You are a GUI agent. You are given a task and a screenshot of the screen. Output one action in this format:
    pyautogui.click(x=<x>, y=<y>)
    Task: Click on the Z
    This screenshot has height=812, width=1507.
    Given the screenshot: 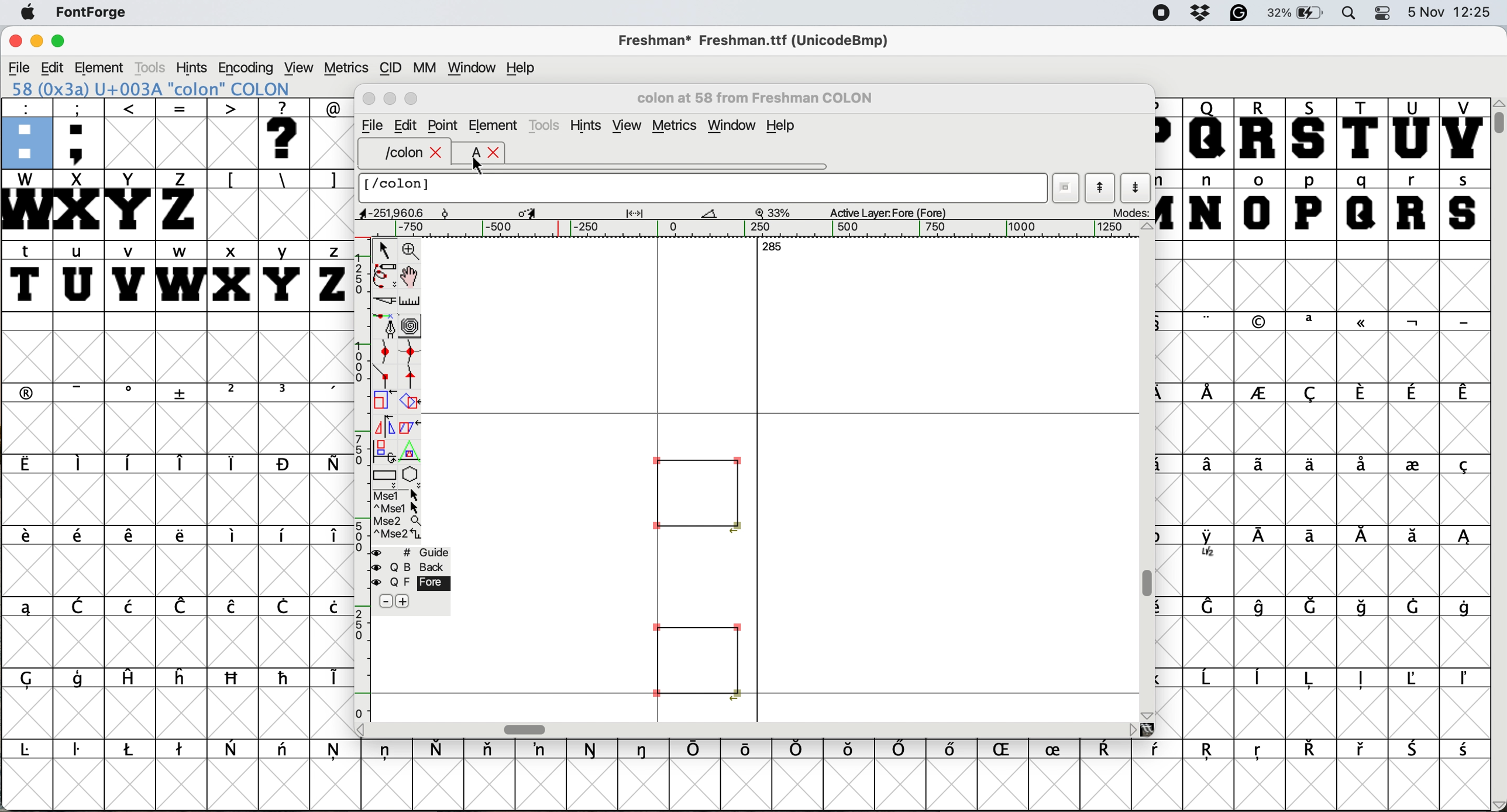 What is the action you would take?
    pyautogui.click(x=181, y=204)
    